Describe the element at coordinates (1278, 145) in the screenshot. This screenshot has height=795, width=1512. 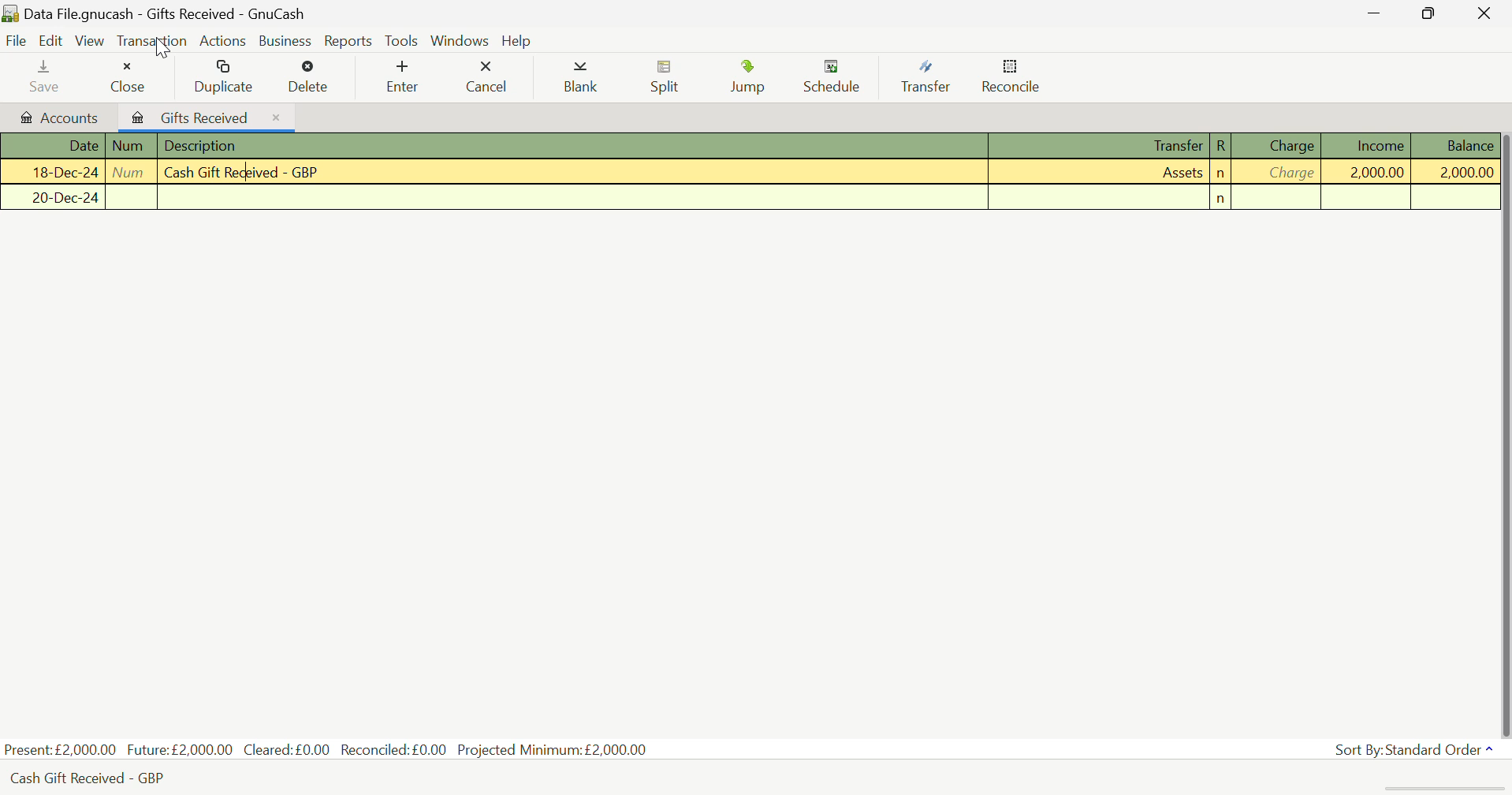
I see `Charge` at that location.